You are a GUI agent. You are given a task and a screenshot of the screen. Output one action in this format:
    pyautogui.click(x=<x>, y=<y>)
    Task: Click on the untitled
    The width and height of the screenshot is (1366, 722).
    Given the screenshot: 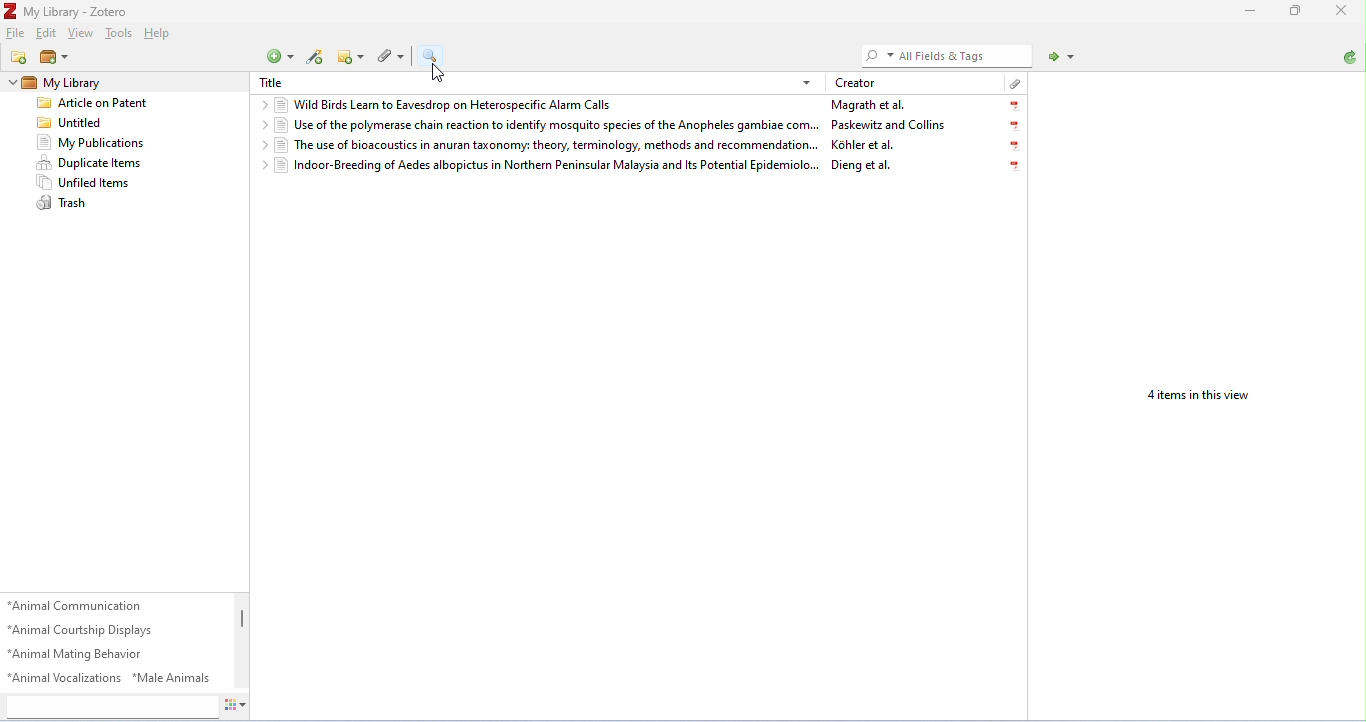 What is the action you would take?
    pyautogui.click(x=73, y=124)
    